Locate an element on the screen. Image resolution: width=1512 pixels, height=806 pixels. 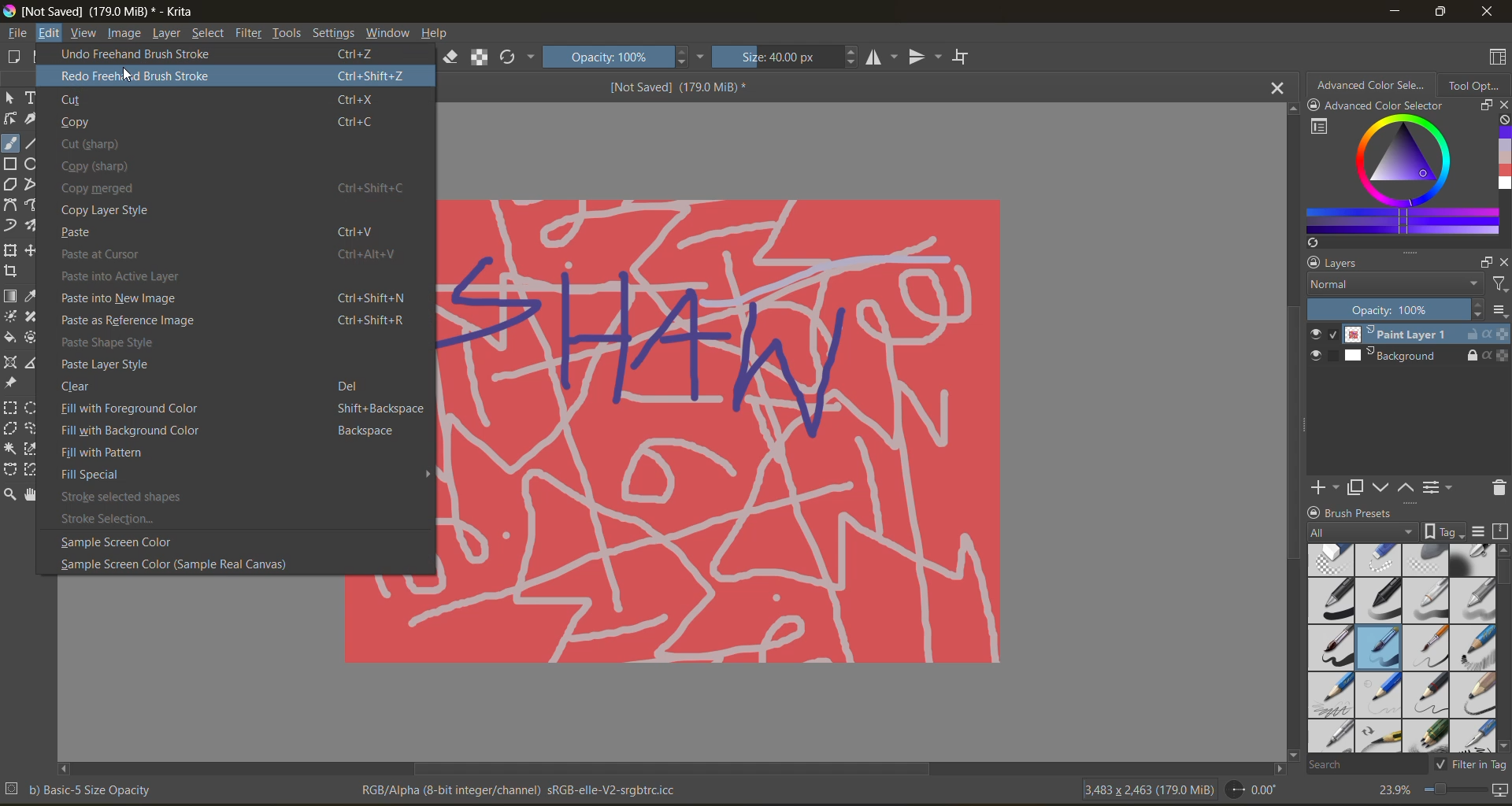
display settings is located at coordinates (1481, 530).